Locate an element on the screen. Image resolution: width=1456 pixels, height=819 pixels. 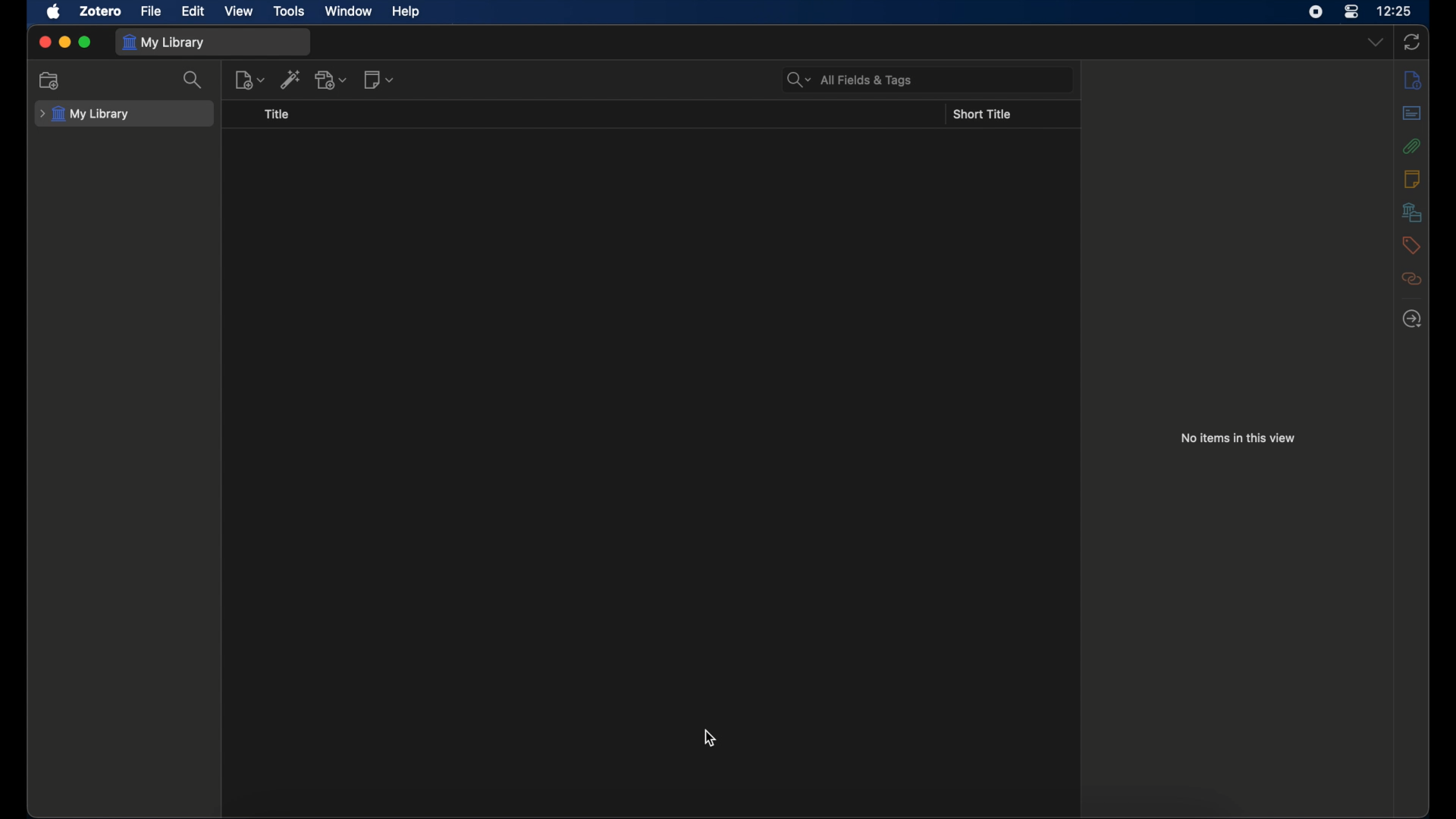
related is located at coordinates (1412, 279).